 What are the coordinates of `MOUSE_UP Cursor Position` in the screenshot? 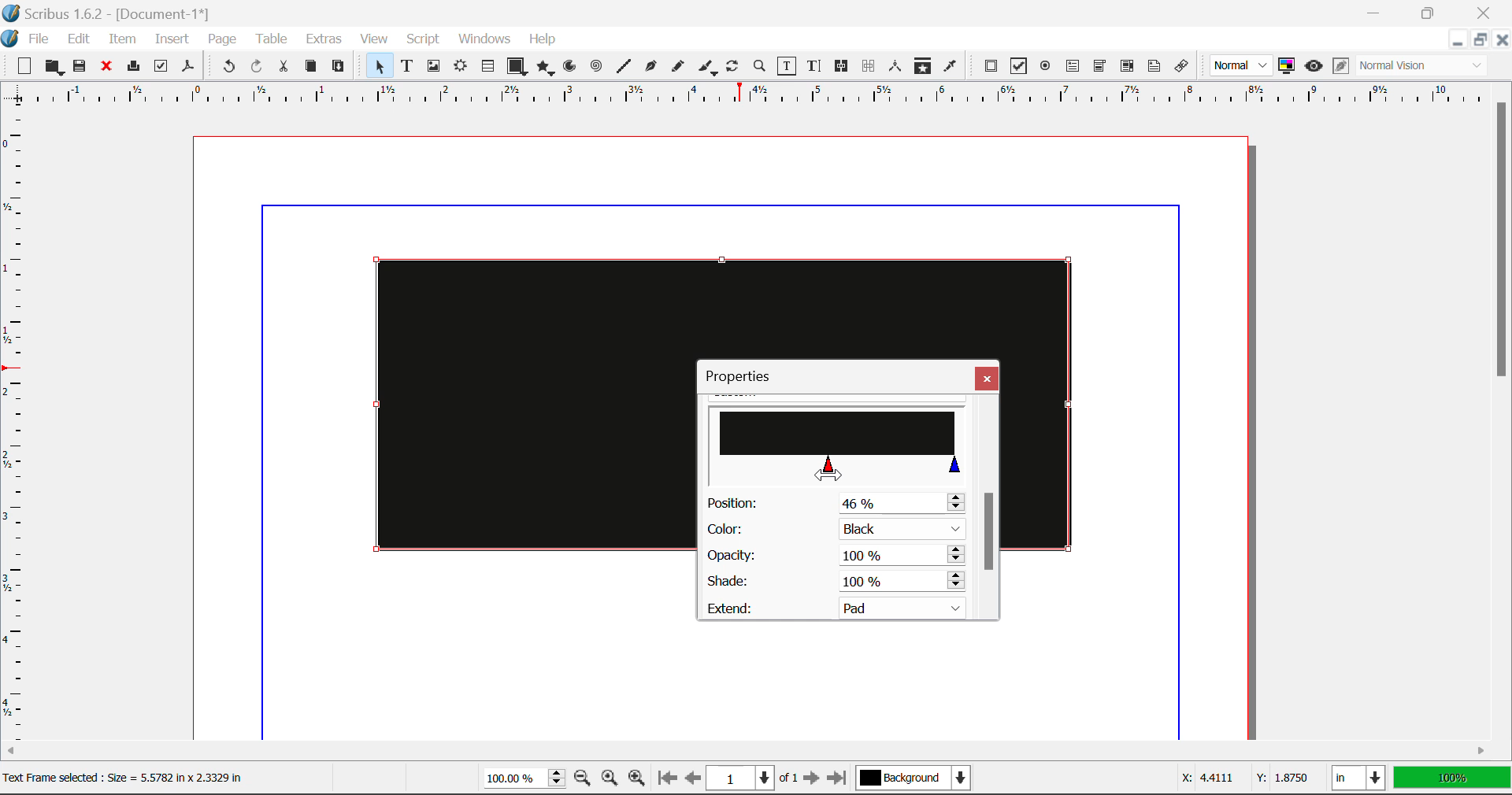 It's located at (830, 469).